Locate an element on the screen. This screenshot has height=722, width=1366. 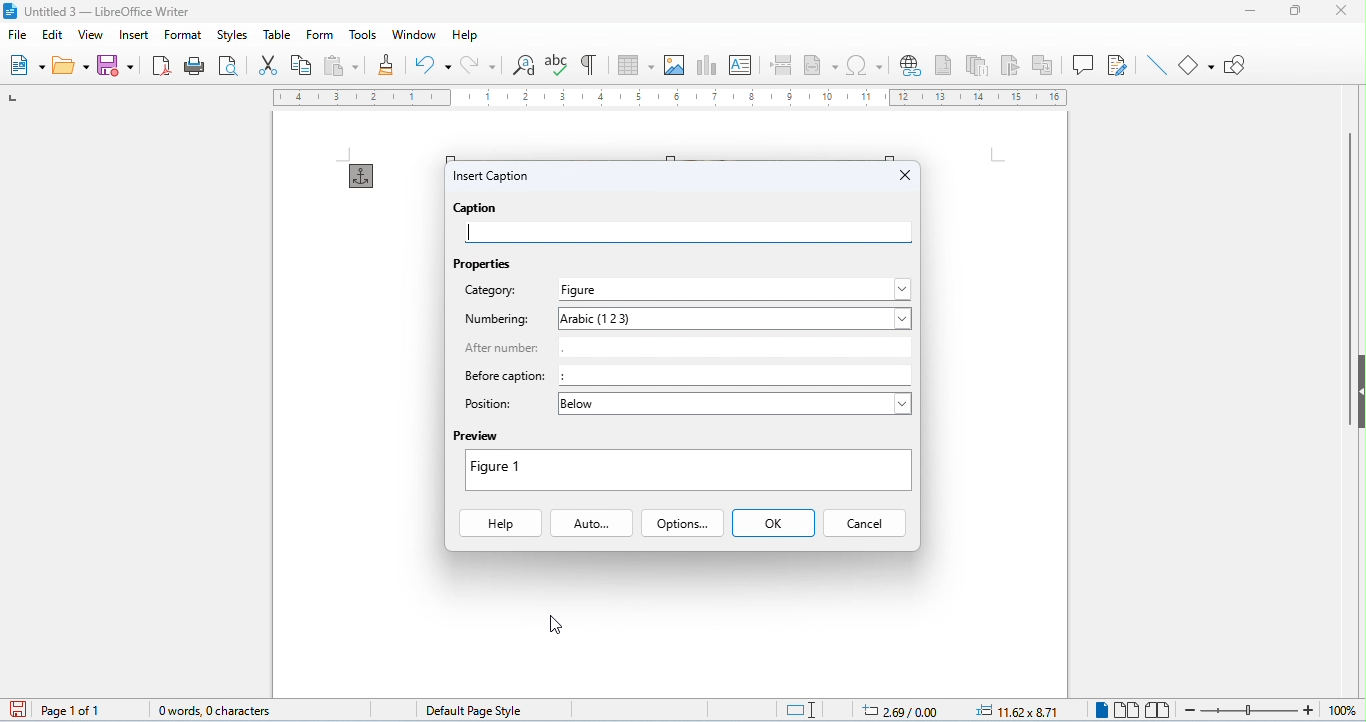
styles is located at coordinates (230, 34).